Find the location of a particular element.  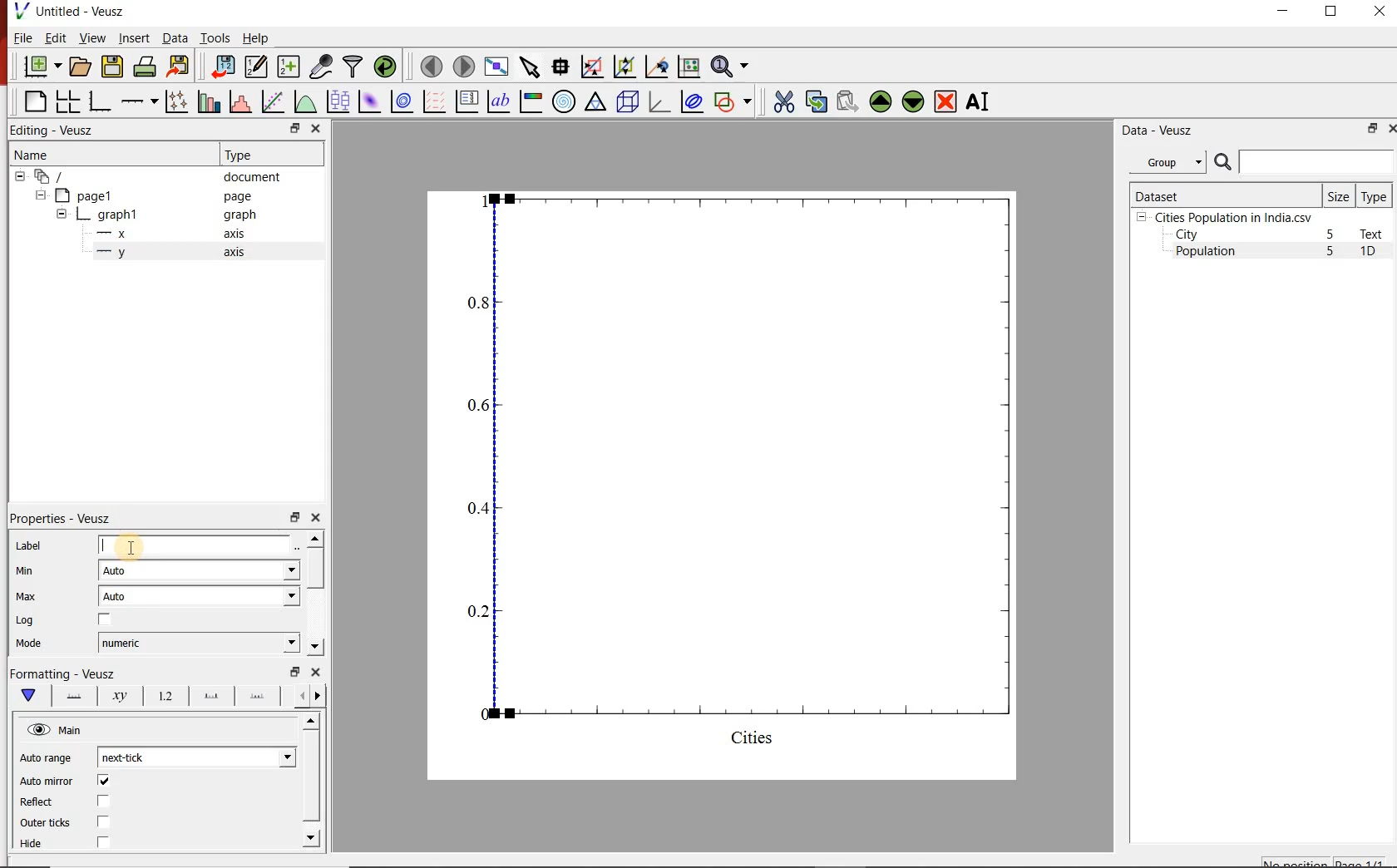

Data - Veusz is located at coordinates (1154, 130).